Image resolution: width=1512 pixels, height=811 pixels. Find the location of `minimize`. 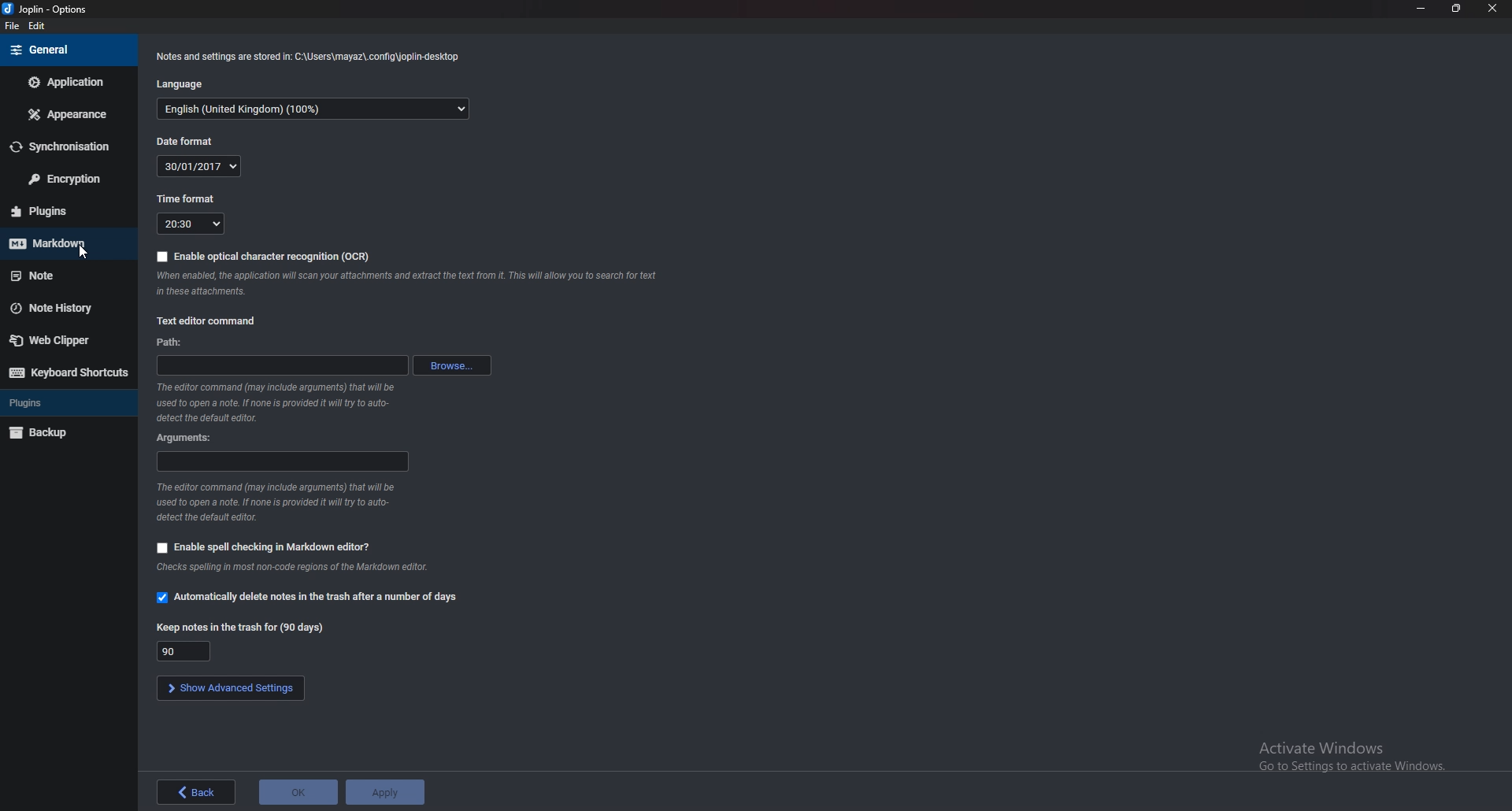

minimize is located at coordinates (1419, 7).